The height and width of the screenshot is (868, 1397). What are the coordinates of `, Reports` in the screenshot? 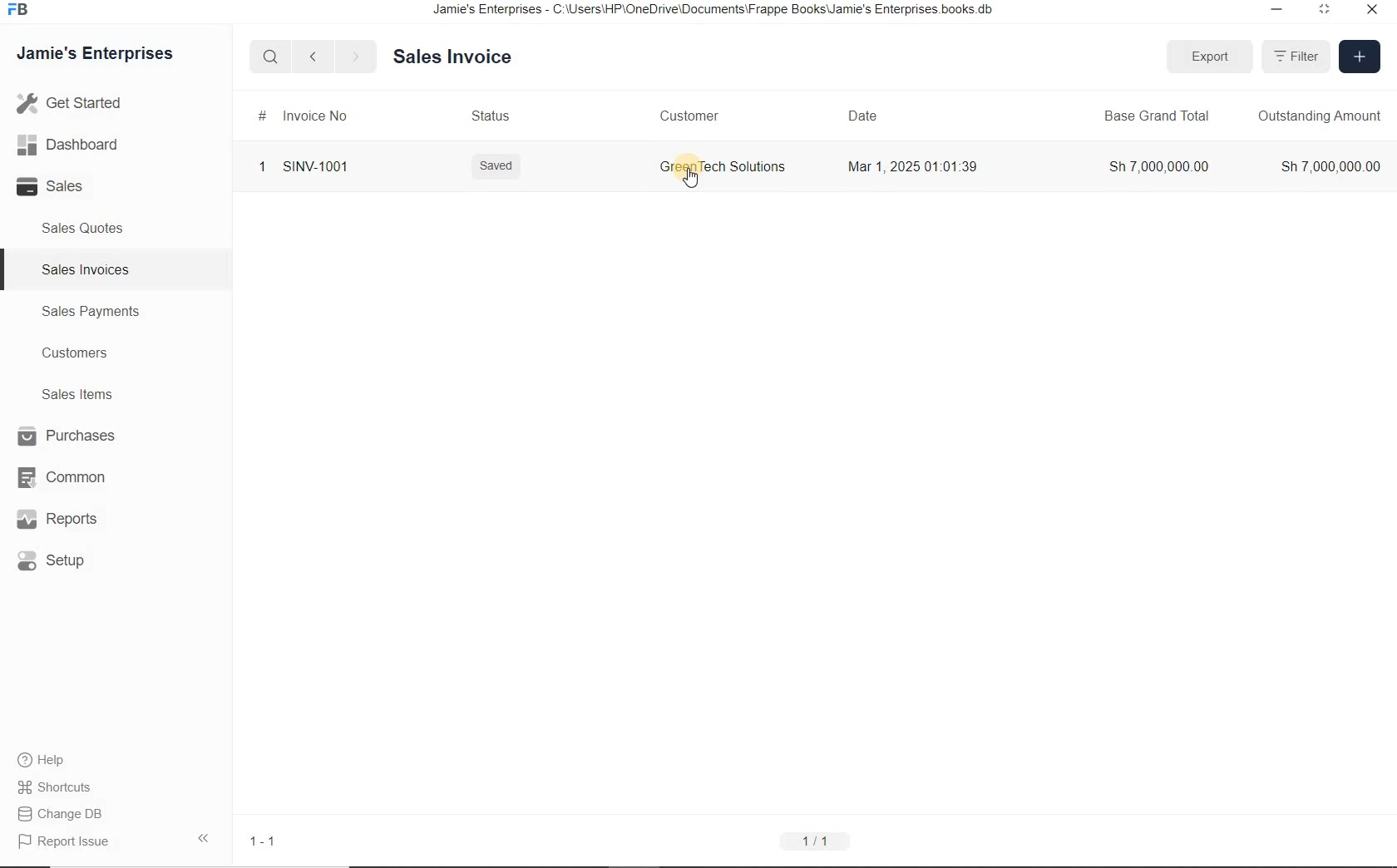 It's located at (60, 520).